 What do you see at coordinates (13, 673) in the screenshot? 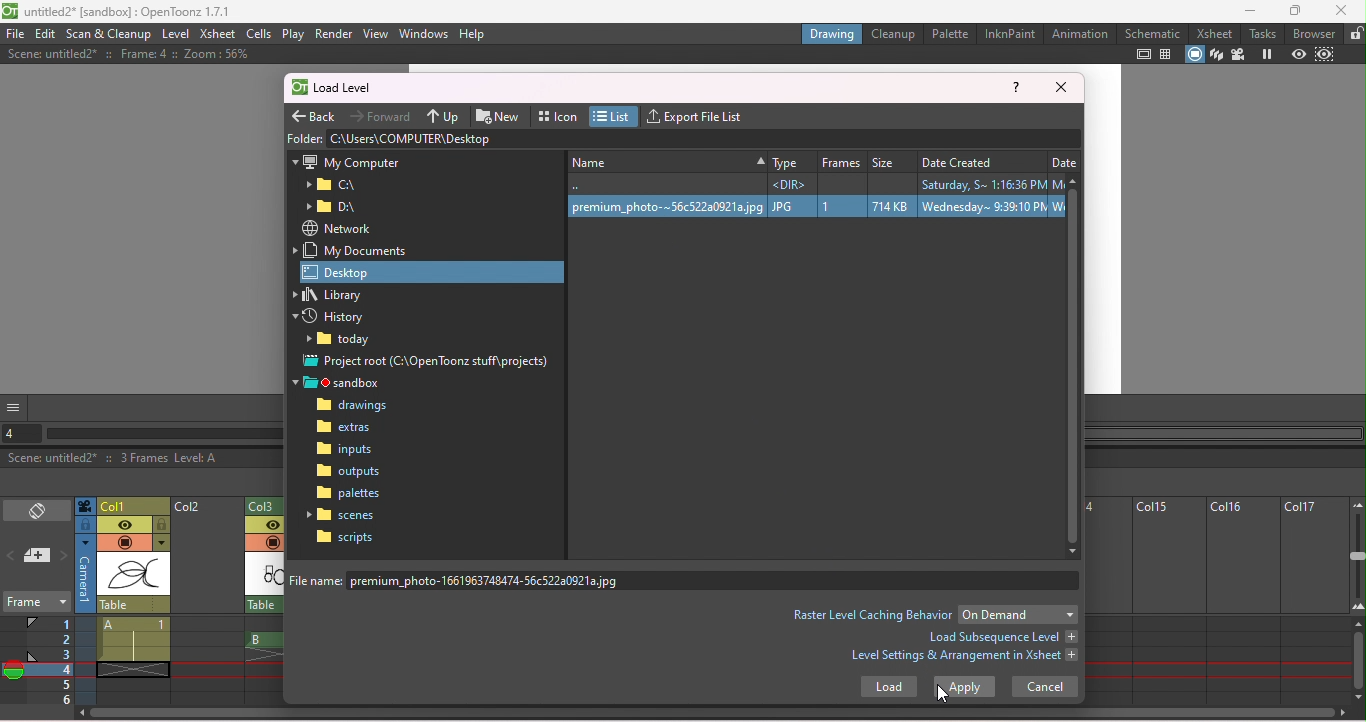
I see `Onion skin` at bounding box center [13, 673].